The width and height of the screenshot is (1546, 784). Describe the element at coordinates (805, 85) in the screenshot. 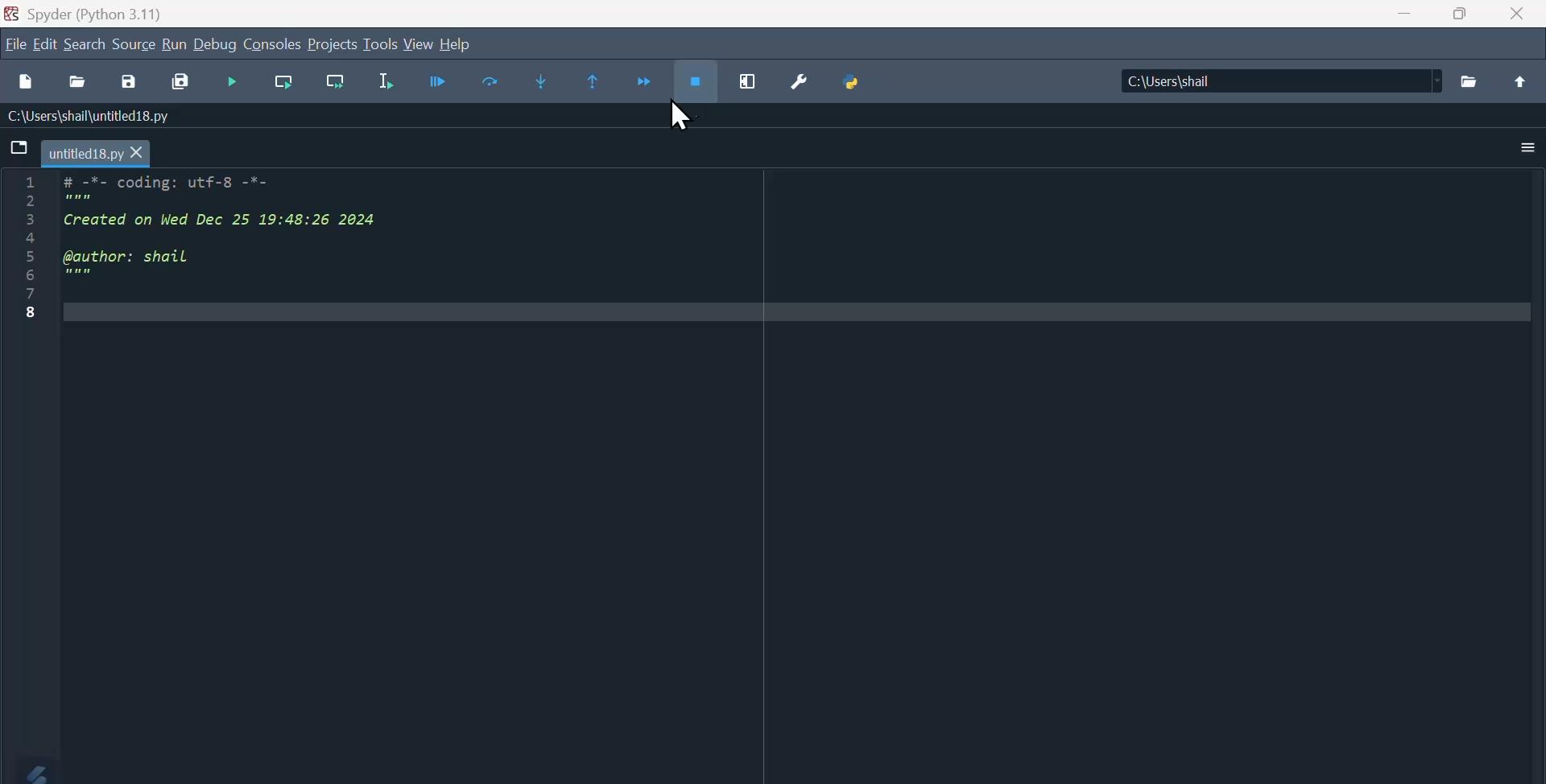

I see `Preferences` at that location.